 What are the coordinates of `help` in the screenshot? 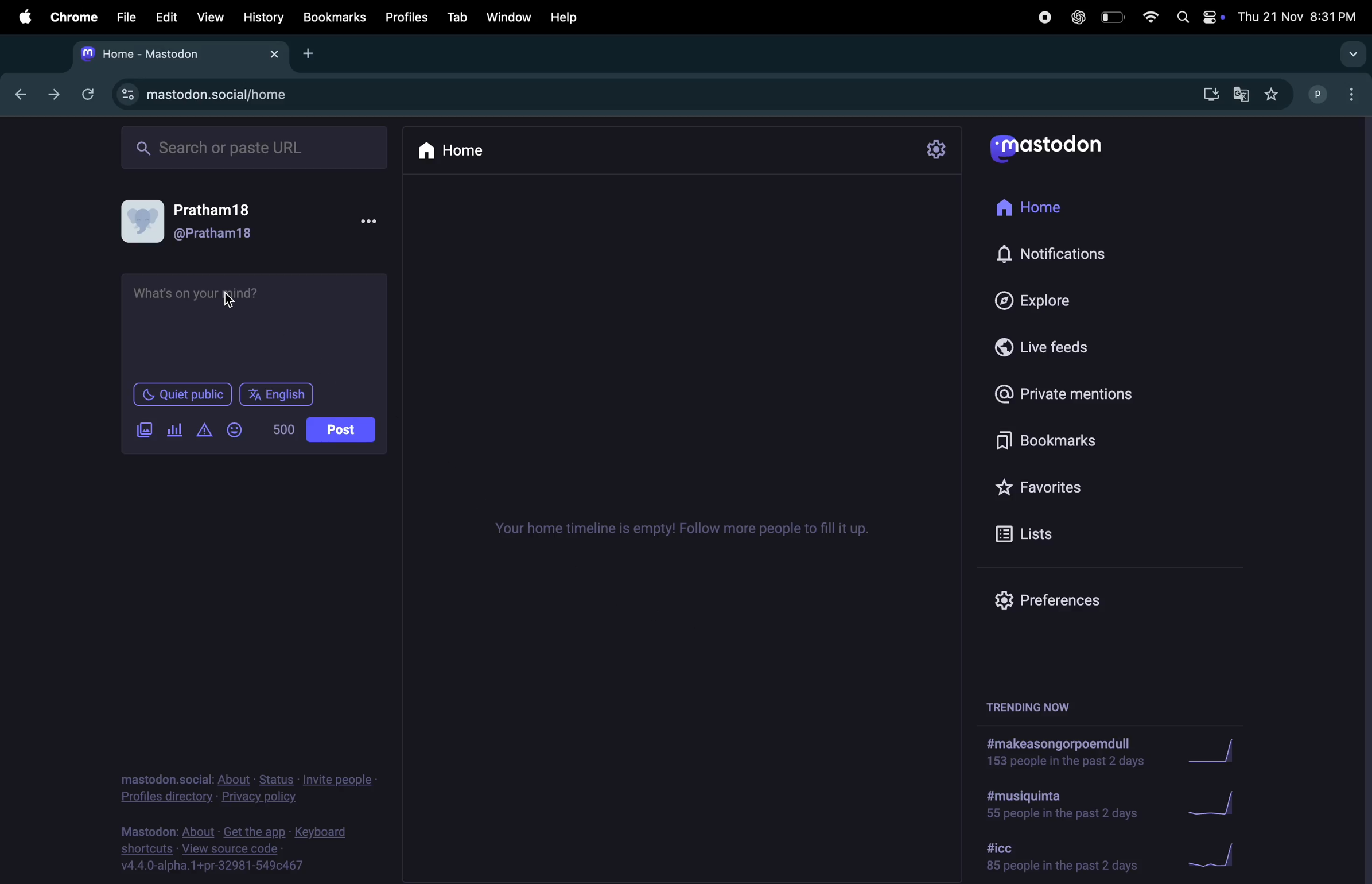 It's located at (561, 18).